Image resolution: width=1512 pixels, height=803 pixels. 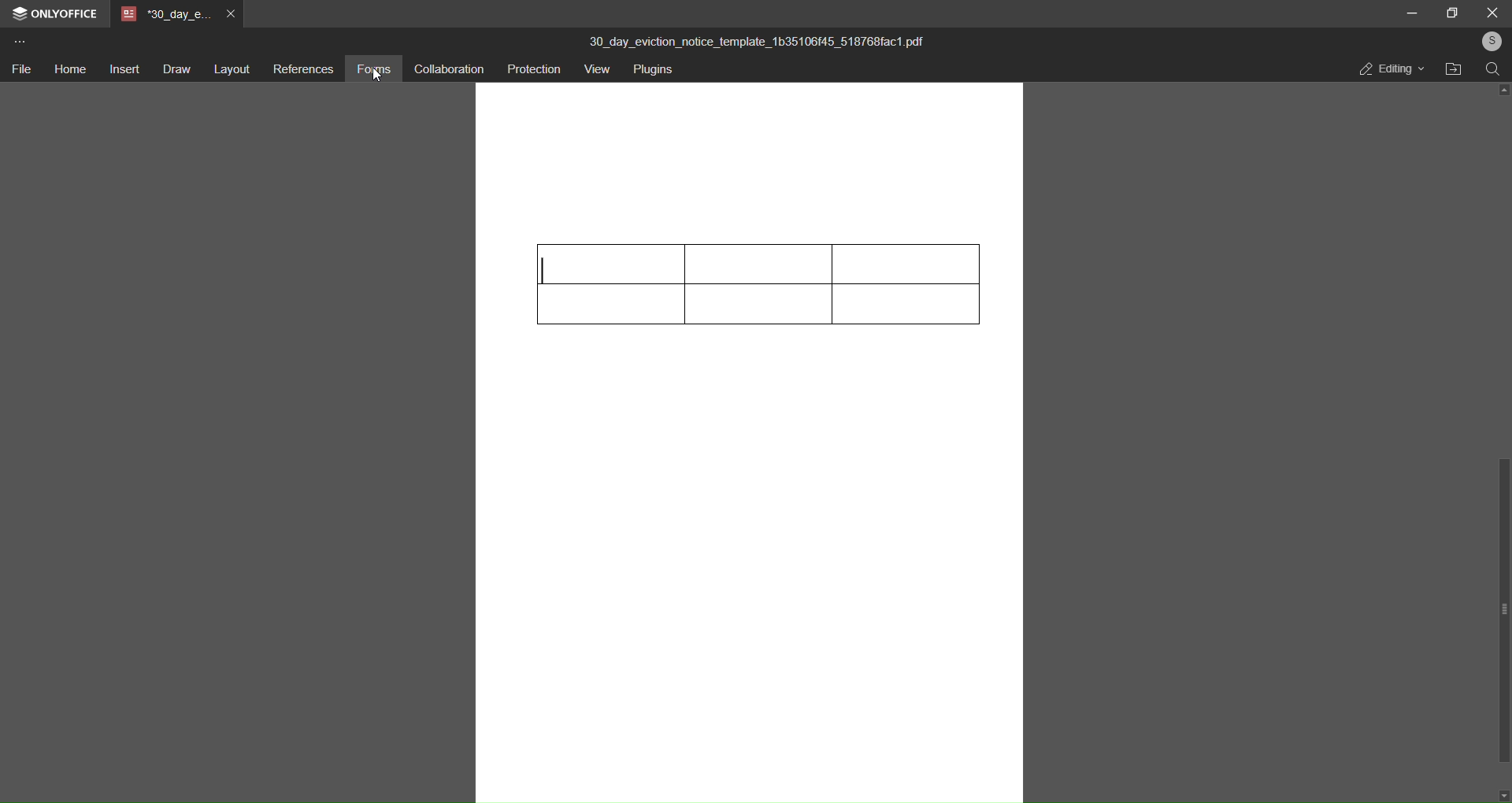 What do you see at coordinates (532, 72) in the screenshot?
I see `protection` at bounding box center [532, 72].